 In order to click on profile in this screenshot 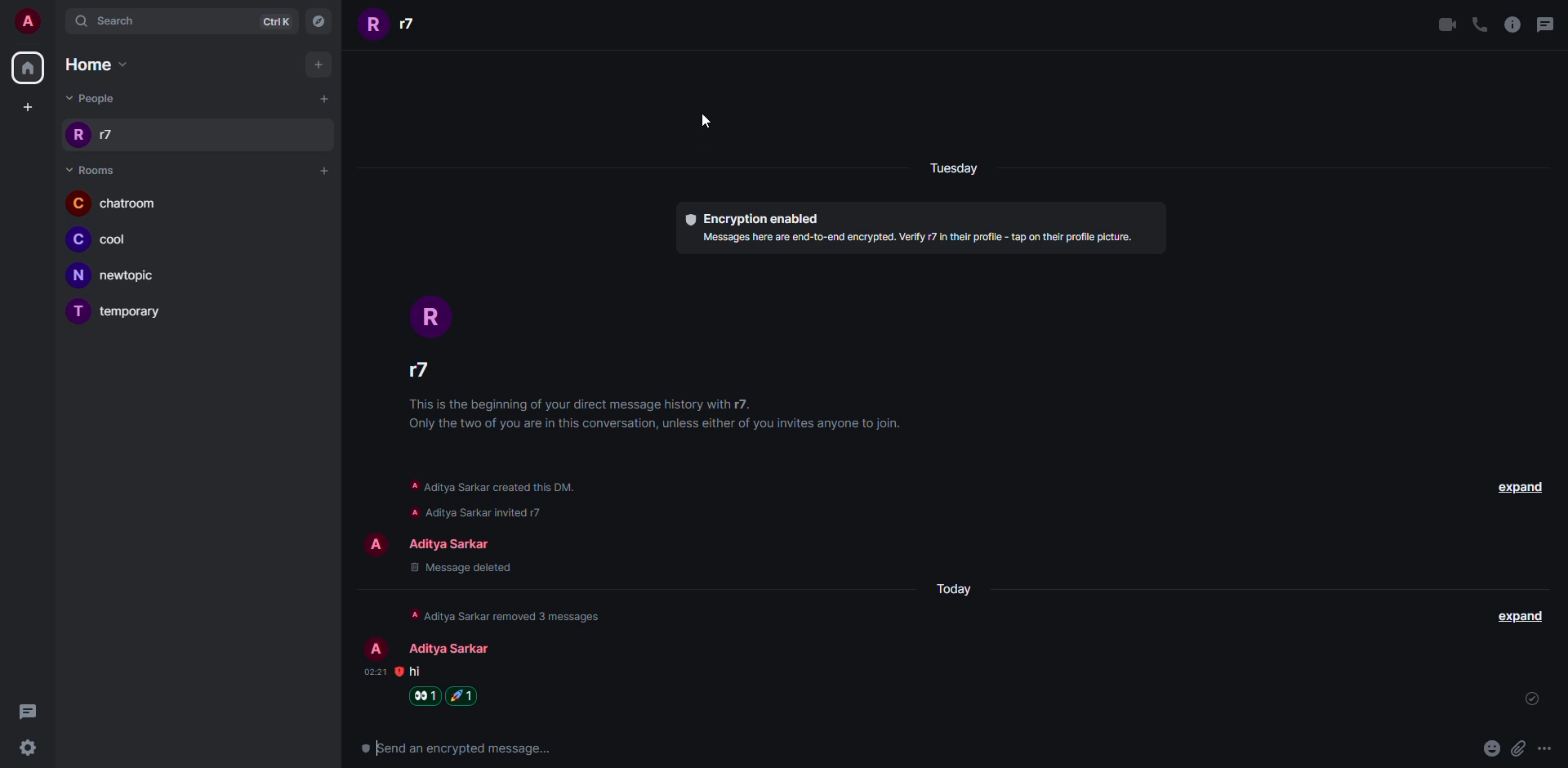, I will do `click(375, 645)`.